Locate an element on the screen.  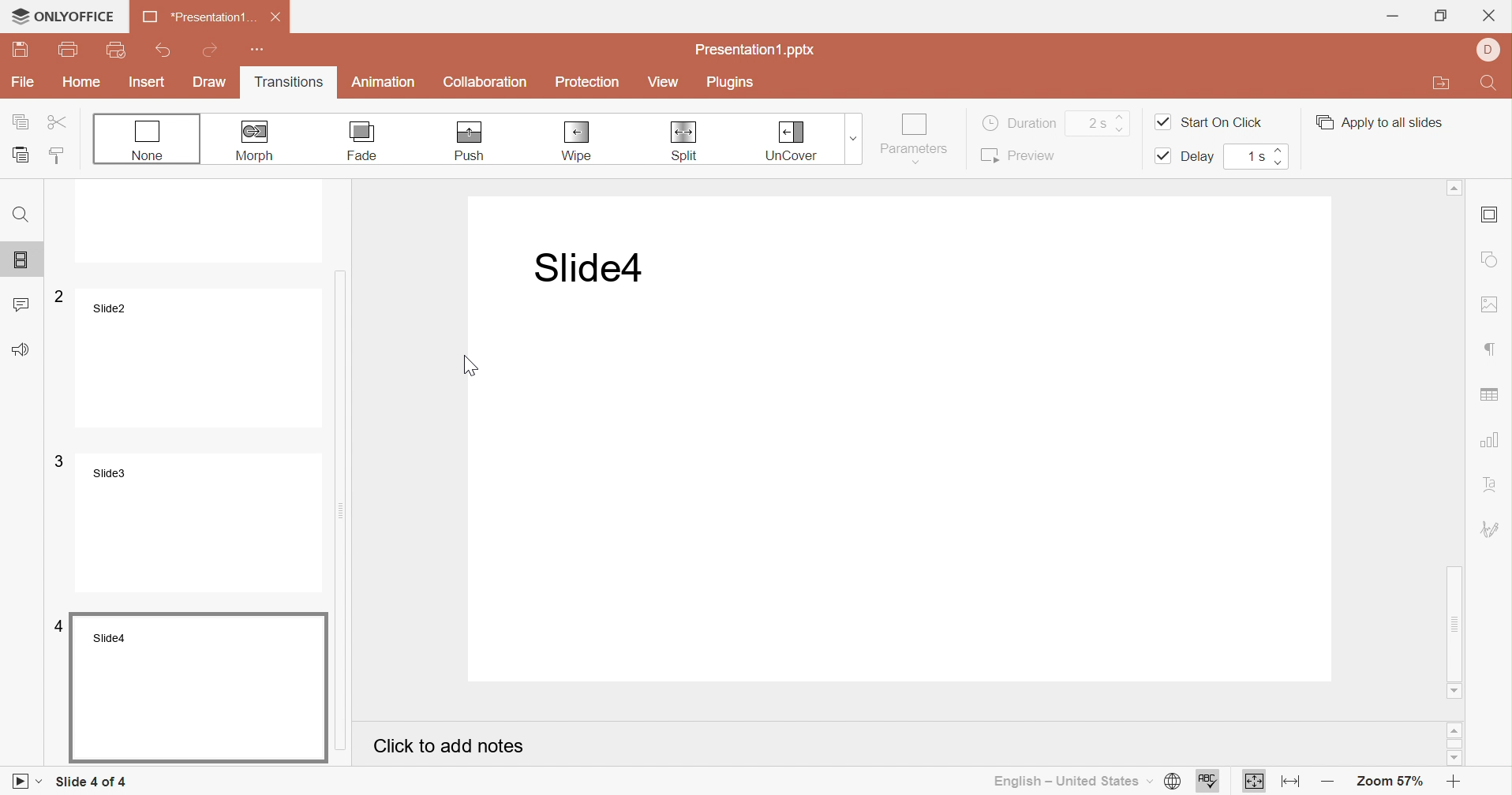
Scroll down is located at coordinates (1456, 760).